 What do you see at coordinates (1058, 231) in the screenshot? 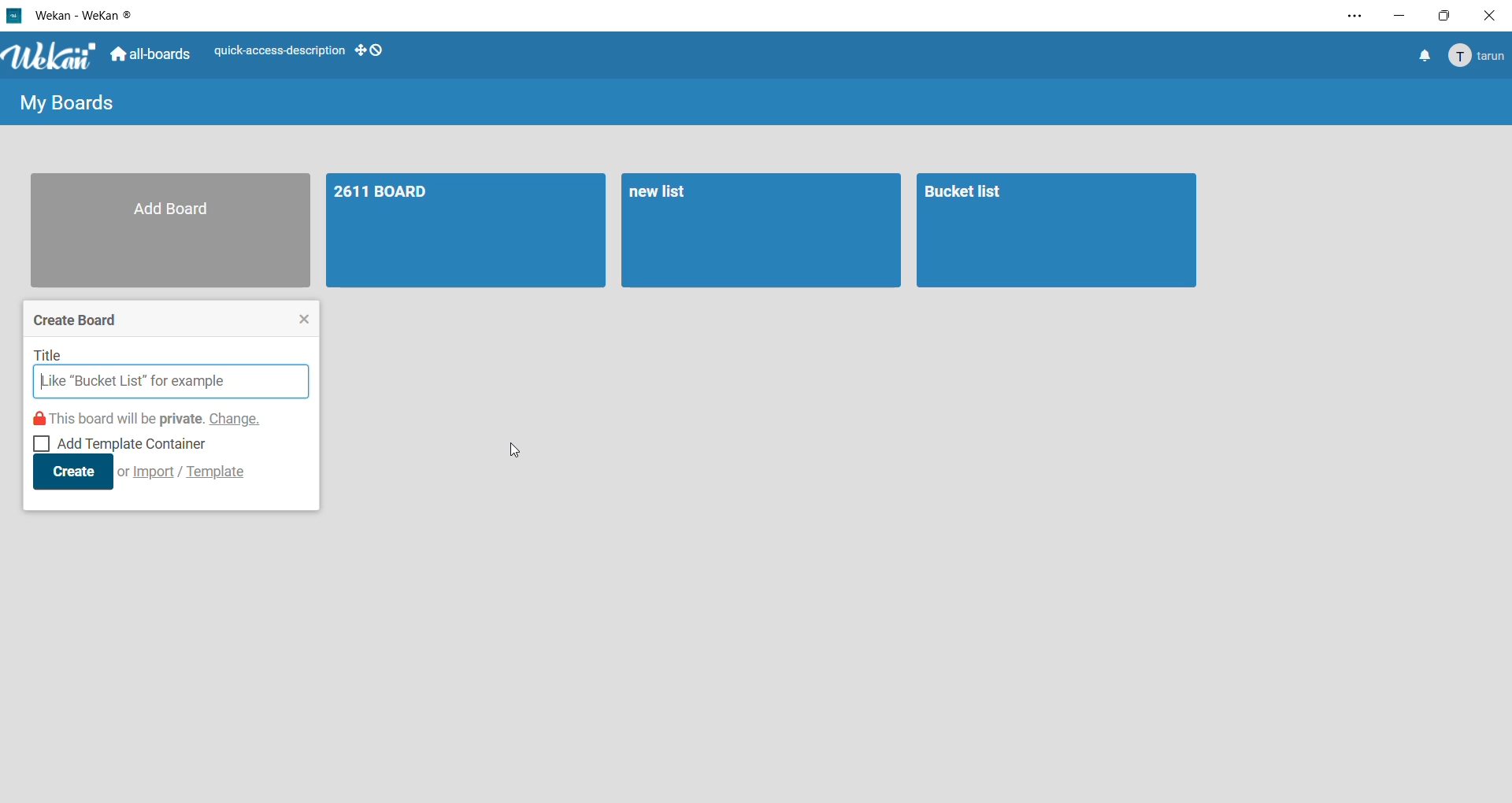
I see `board 3` at bounding box center [1058, 231].